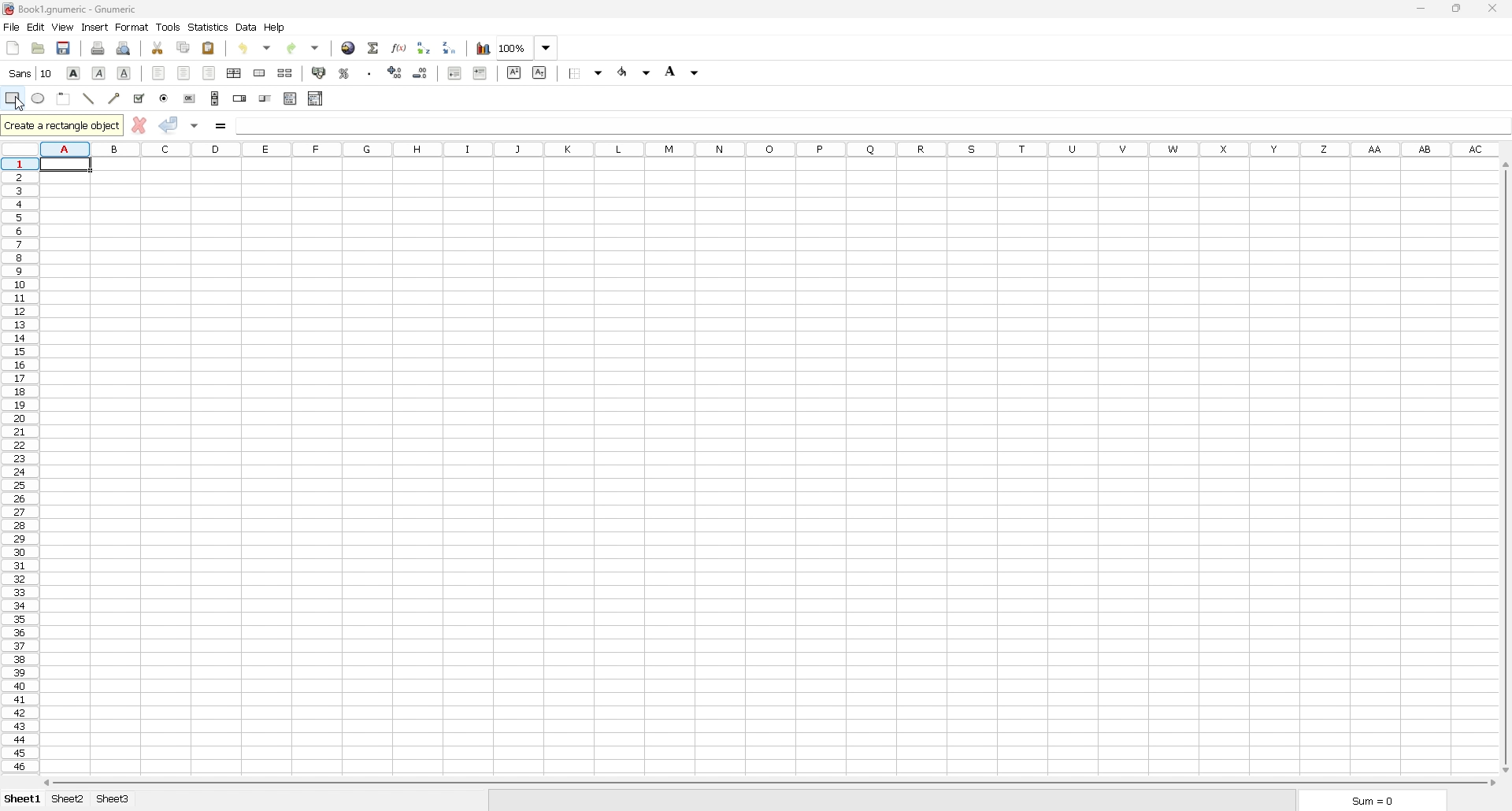  Describe the element at coordinates (139, 98) in the screenshot. I see `tickbox` at that location.